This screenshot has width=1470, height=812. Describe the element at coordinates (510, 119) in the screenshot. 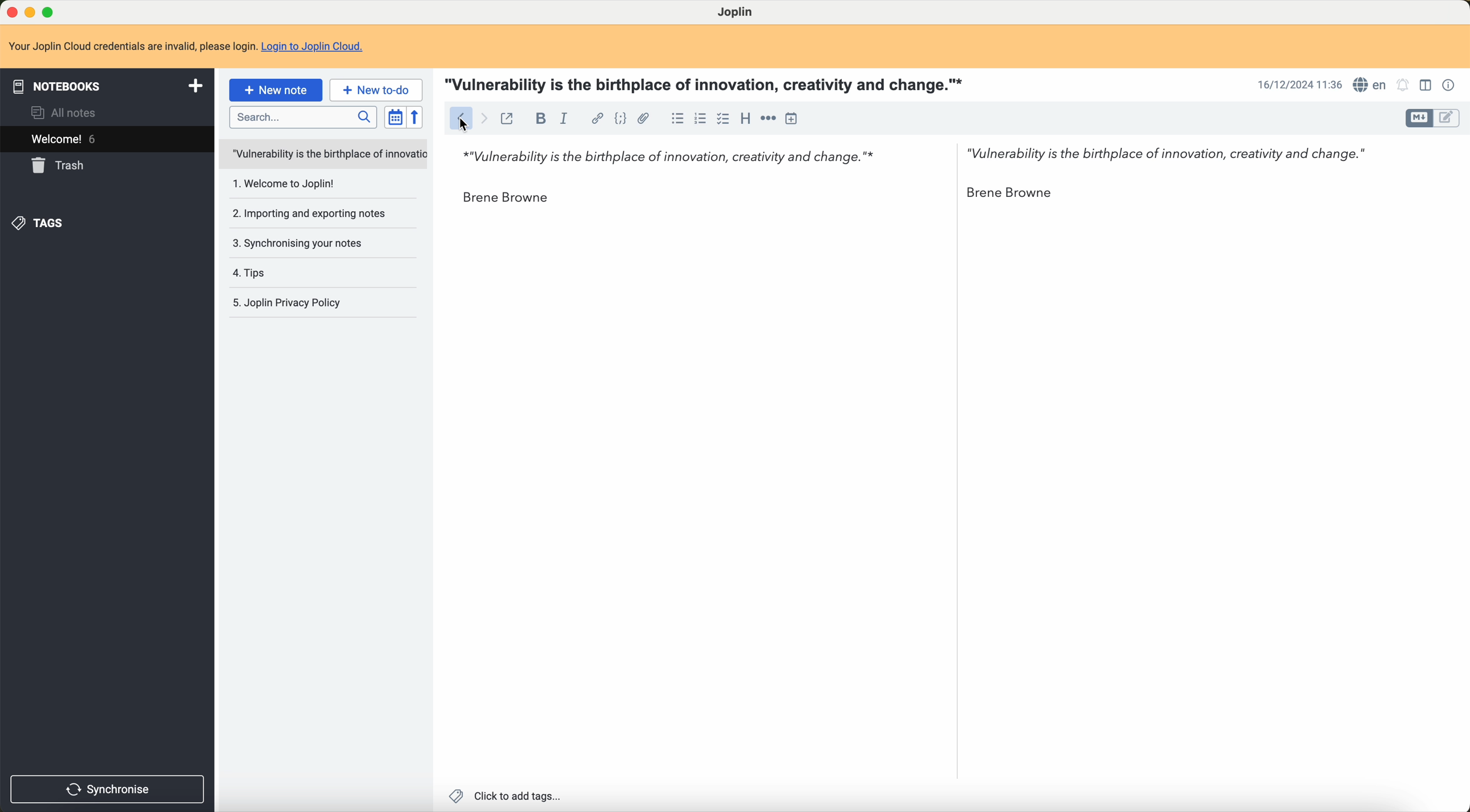

I see `toggle external editing` at that location.